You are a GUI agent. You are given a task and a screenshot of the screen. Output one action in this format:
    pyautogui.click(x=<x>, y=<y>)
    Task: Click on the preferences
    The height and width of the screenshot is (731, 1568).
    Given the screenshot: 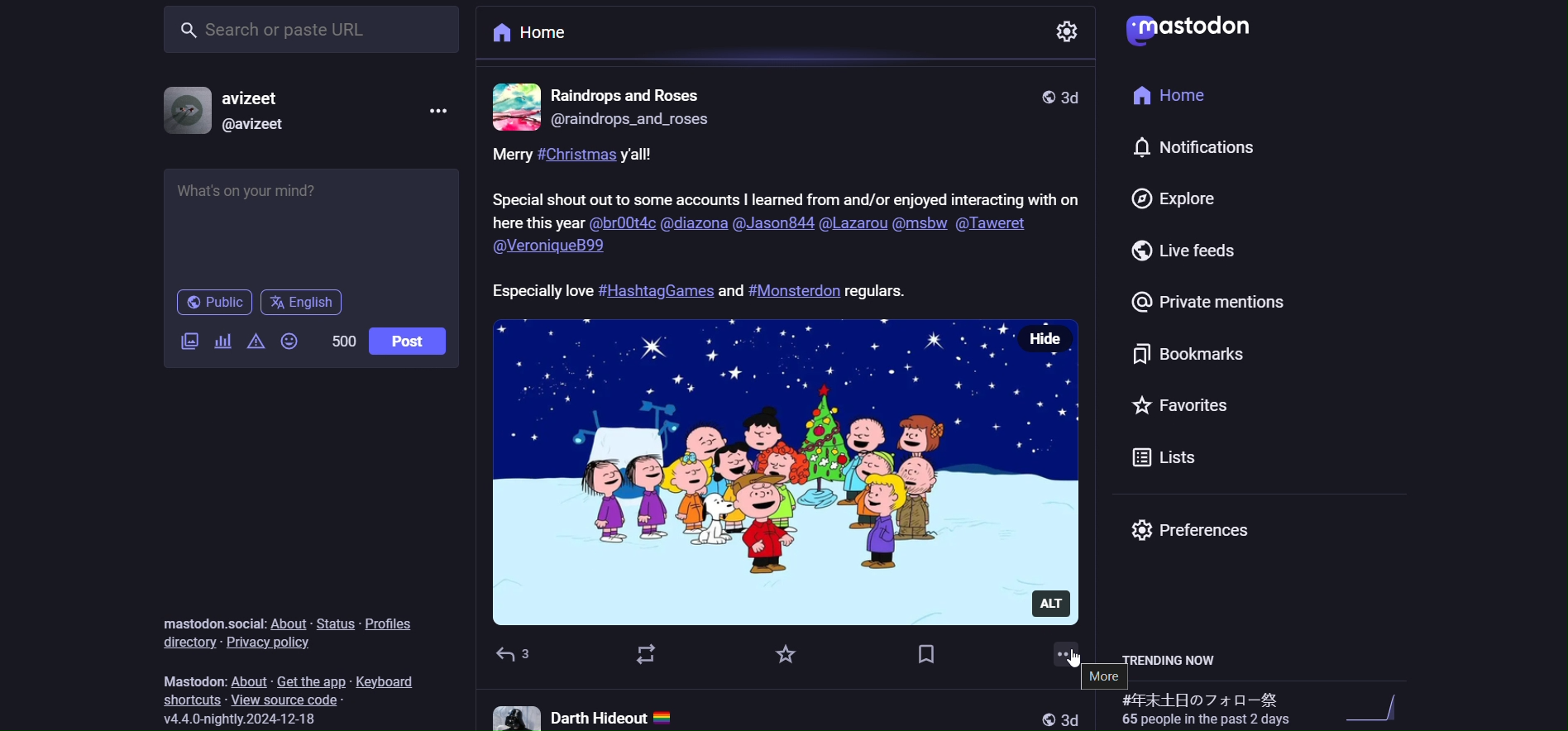 What is the action you would take?
    pyautogui.click(x=1207, y=531)
    